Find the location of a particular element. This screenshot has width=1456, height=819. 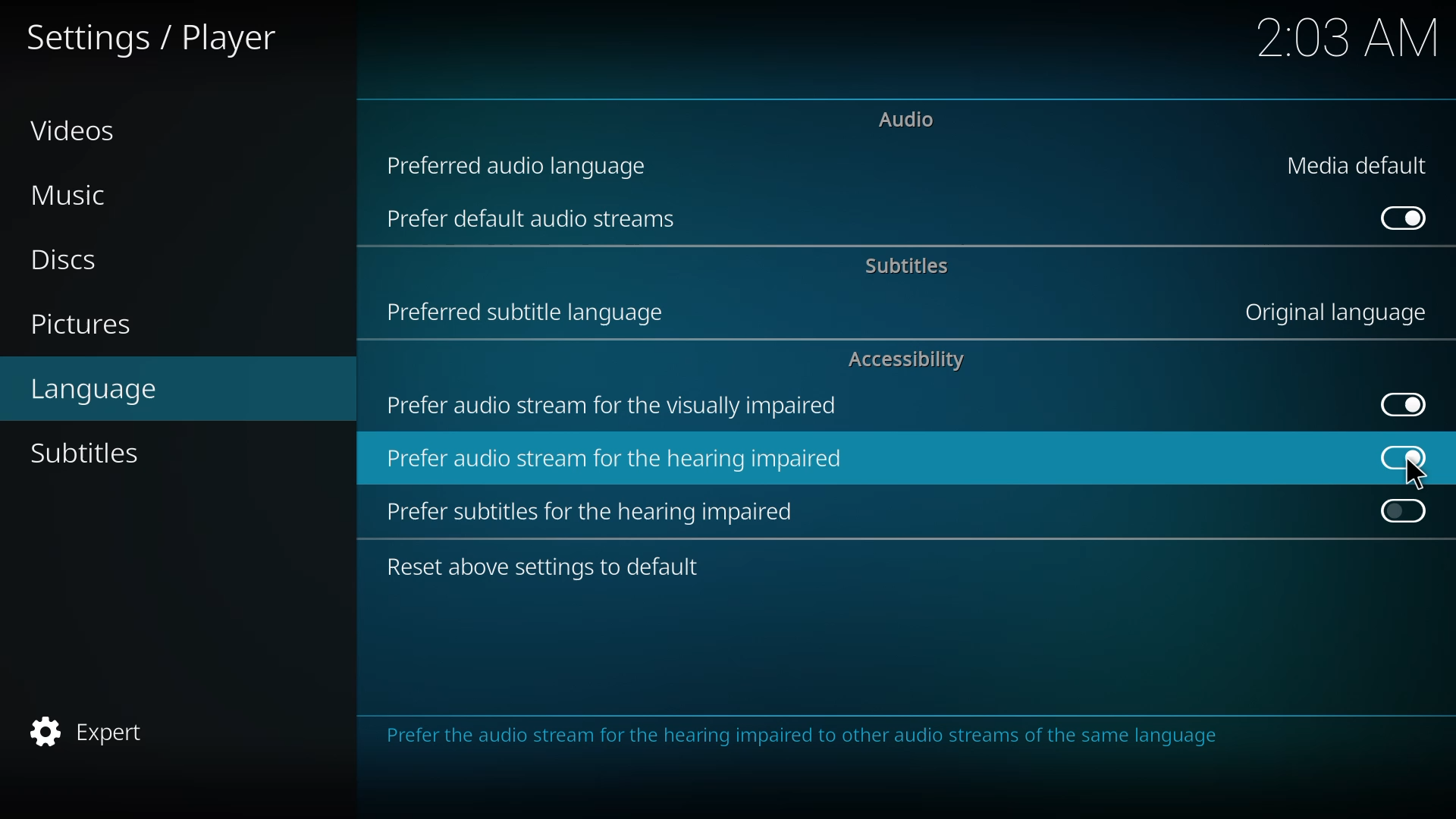

enabled is located at coordinates (1400, 402).